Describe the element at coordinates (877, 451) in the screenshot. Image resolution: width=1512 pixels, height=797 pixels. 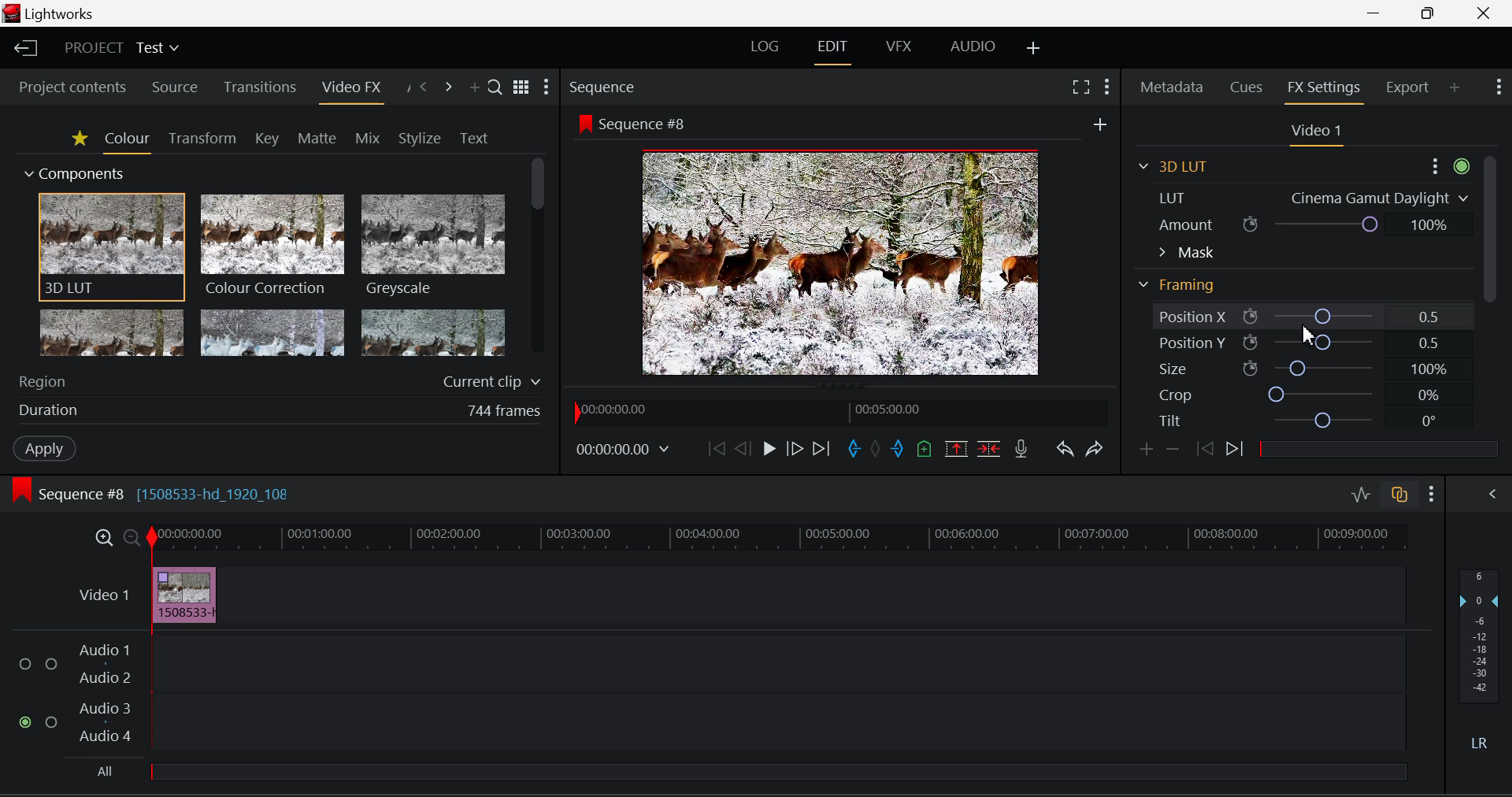
I see `Remove all marks` at that location.